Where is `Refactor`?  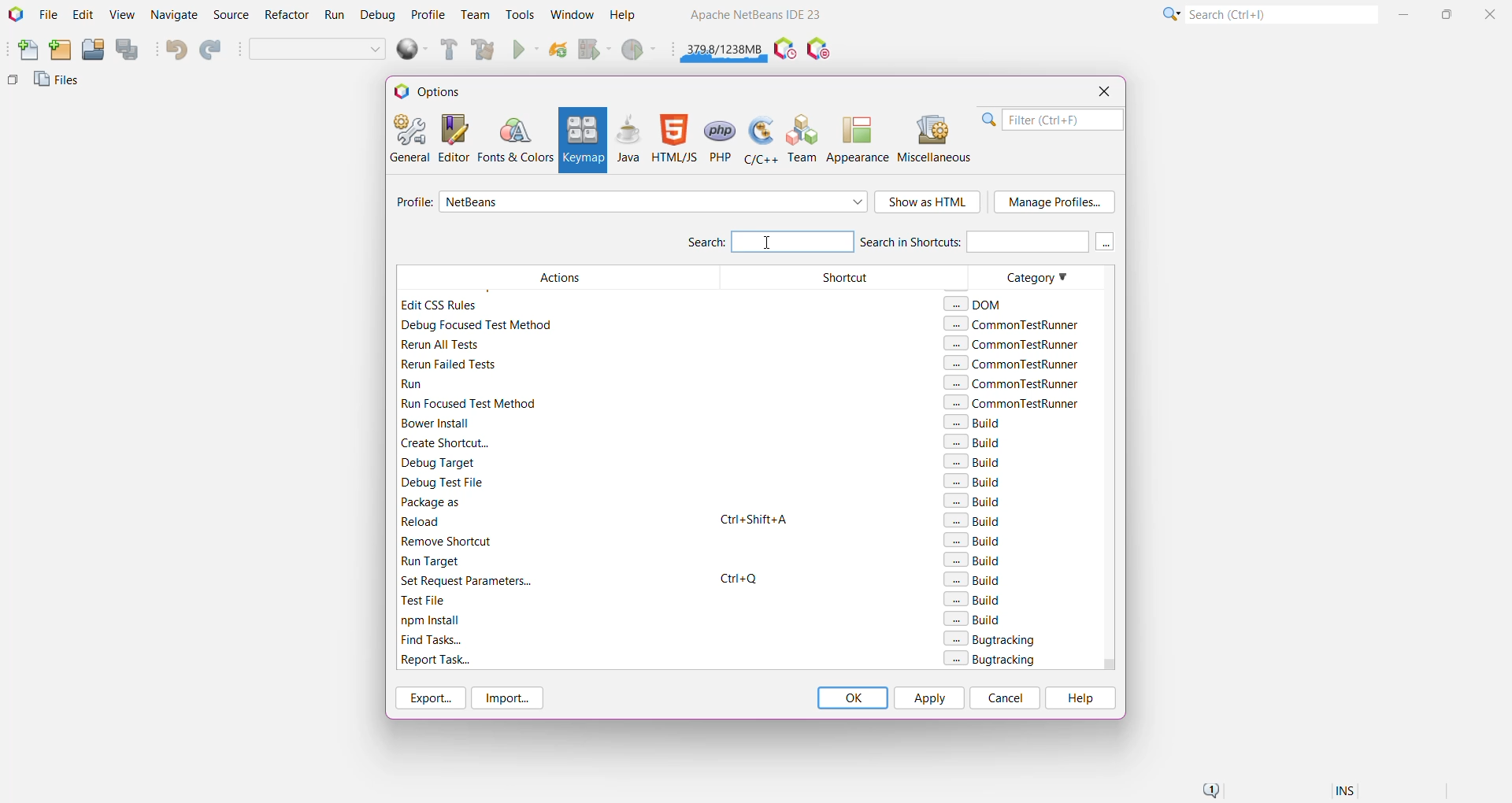
Refactor is located at coordinates (288, 17).